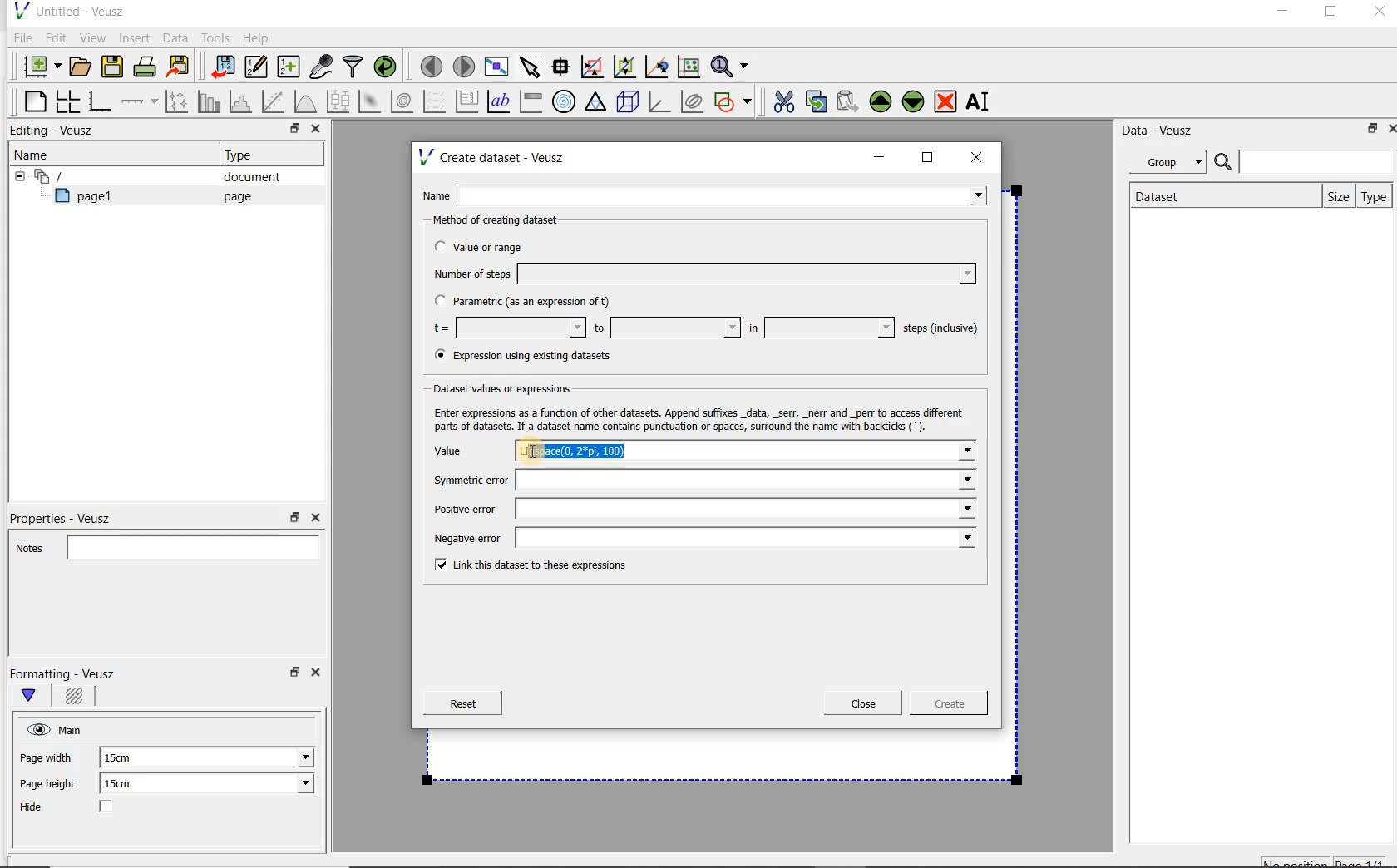 The image size is (1397, 868). What do you see at coordinates (148, 66) in the screenshot?
I see `print the document` at bounding box center [148, 66].